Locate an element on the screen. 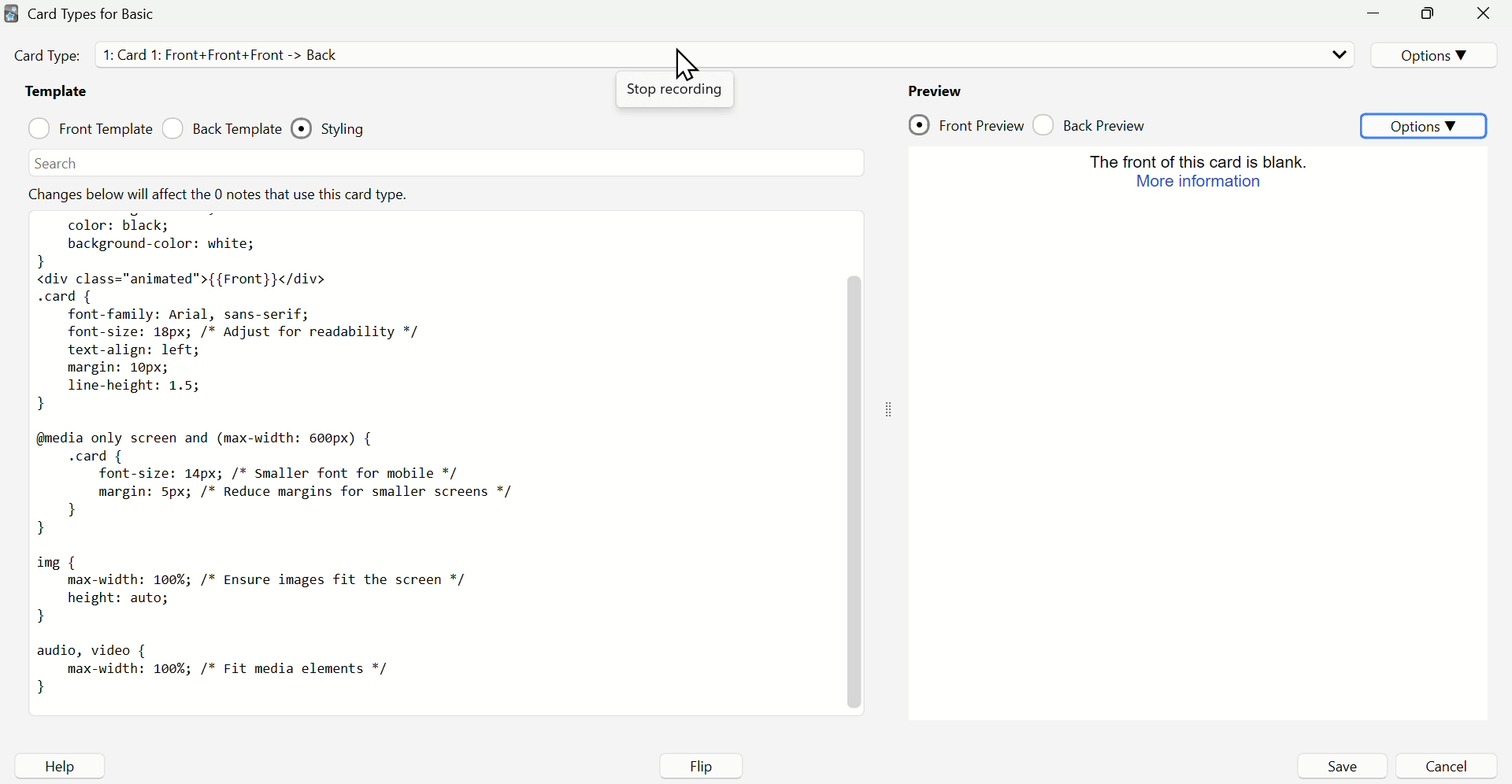 The image size is (1512, 784). Save is located at coordinates (1341, 766).